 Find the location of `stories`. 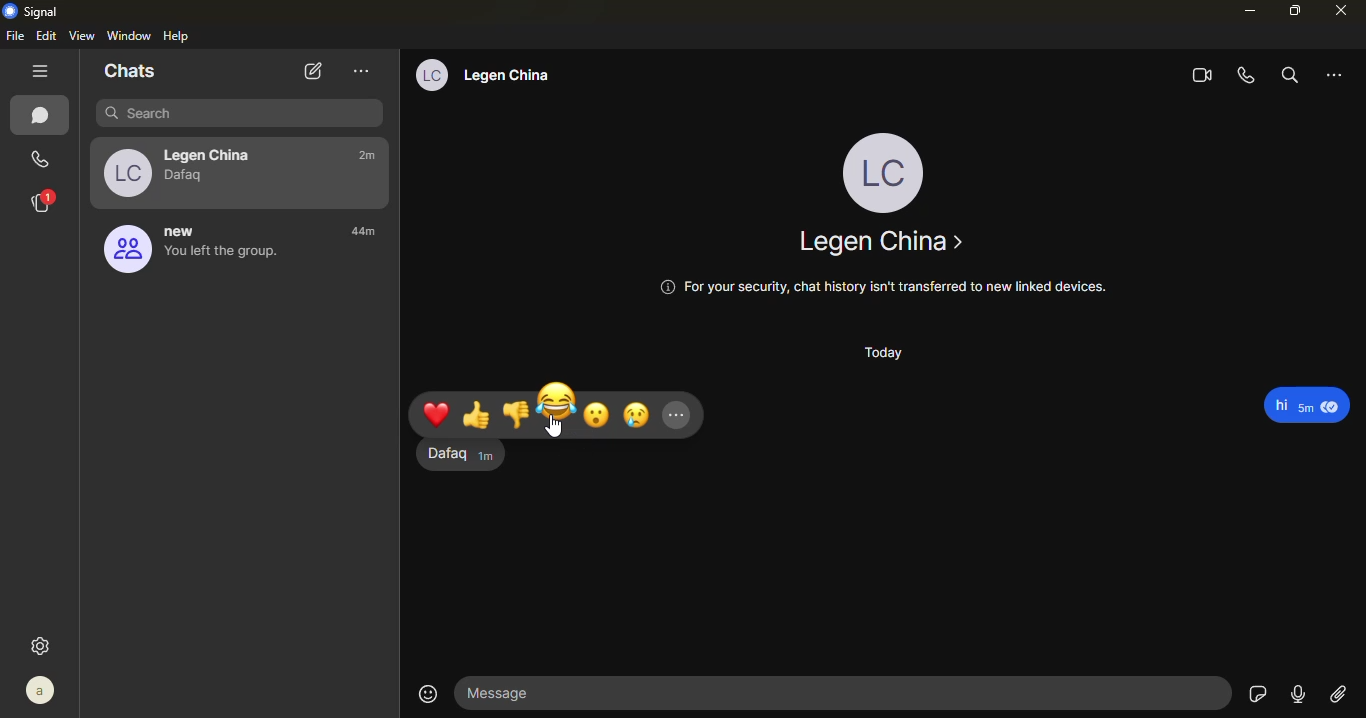

stories is located at coordinates (42, 202).